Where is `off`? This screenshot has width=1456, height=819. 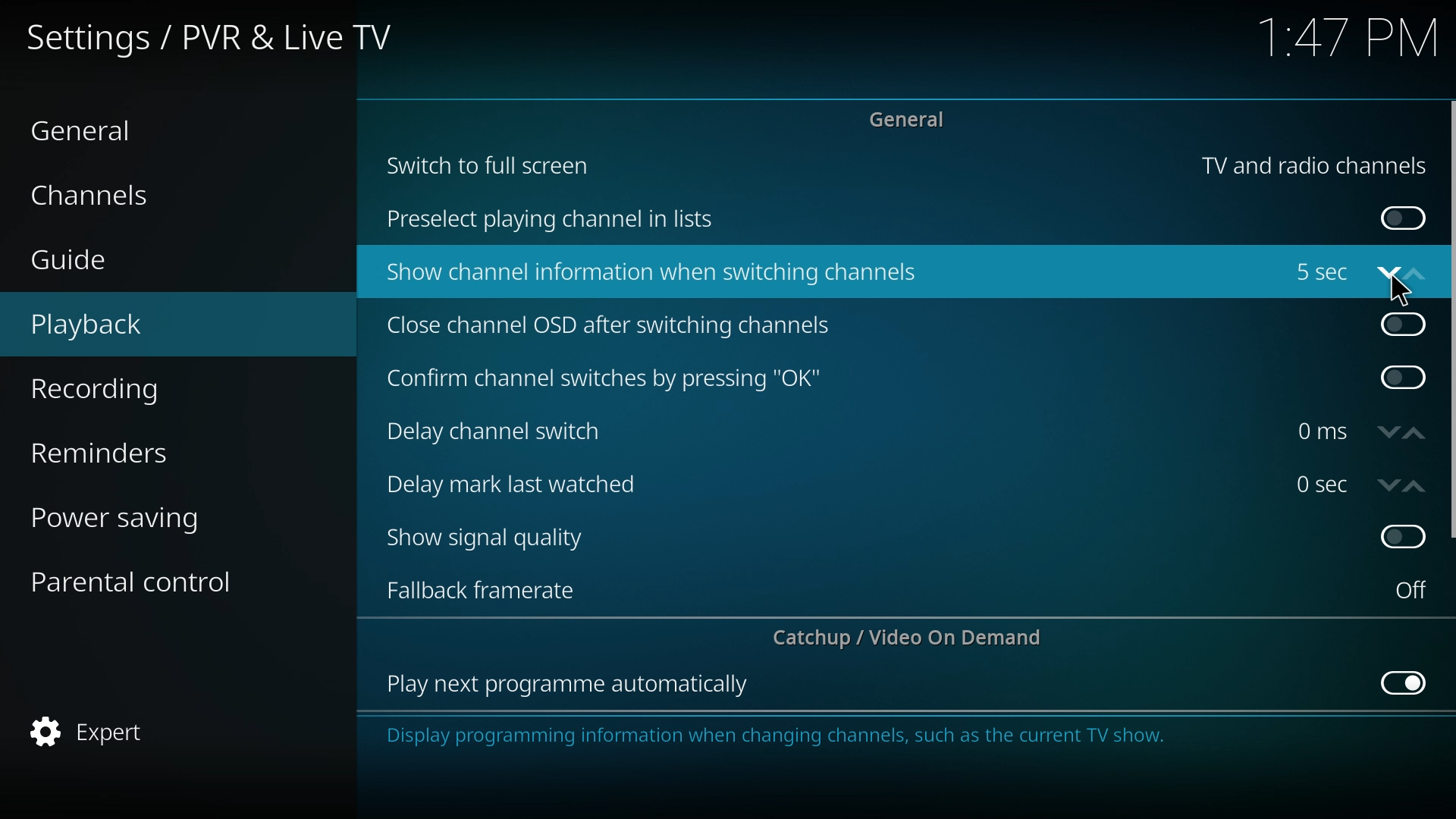 off is located at coordinates (1404, 534).